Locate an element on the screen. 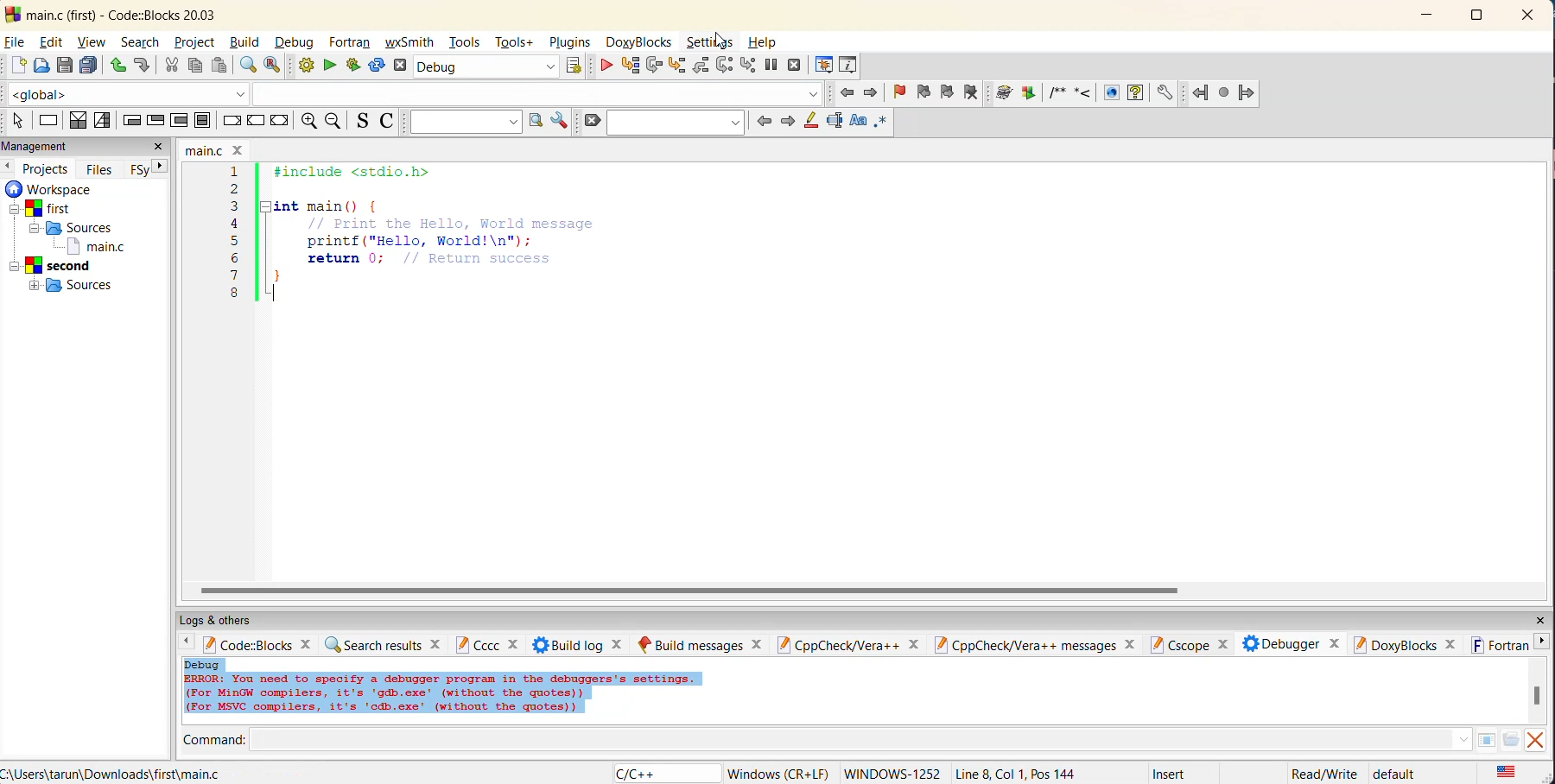  run search is located at coordinates (536, 123).